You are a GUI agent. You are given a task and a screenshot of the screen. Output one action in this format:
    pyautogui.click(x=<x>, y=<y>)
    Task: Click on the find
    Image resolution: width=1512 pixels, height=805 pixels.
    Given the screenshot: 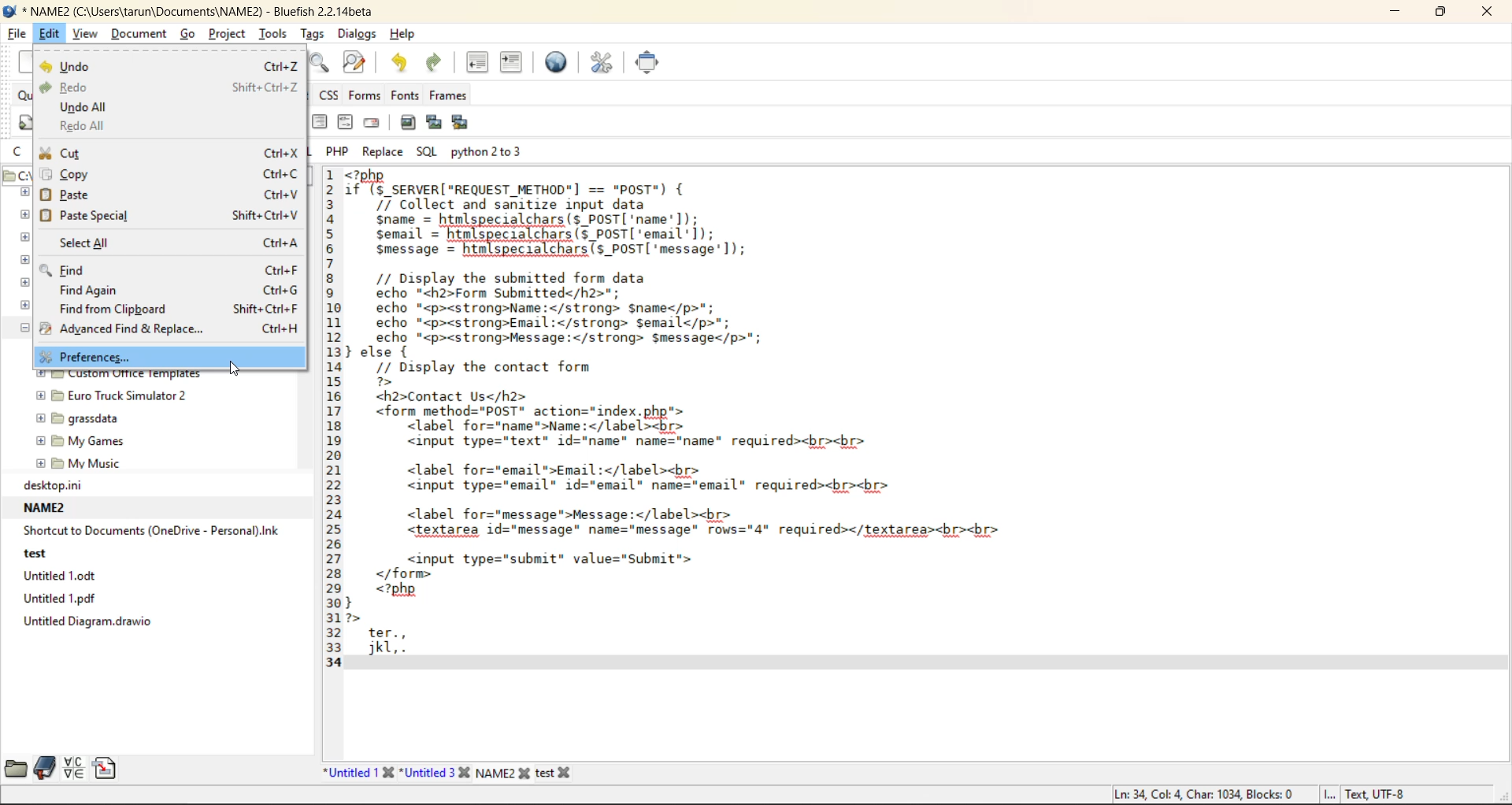 What is the action you would take?
    pyautogui.click(x=166, y=267)
    